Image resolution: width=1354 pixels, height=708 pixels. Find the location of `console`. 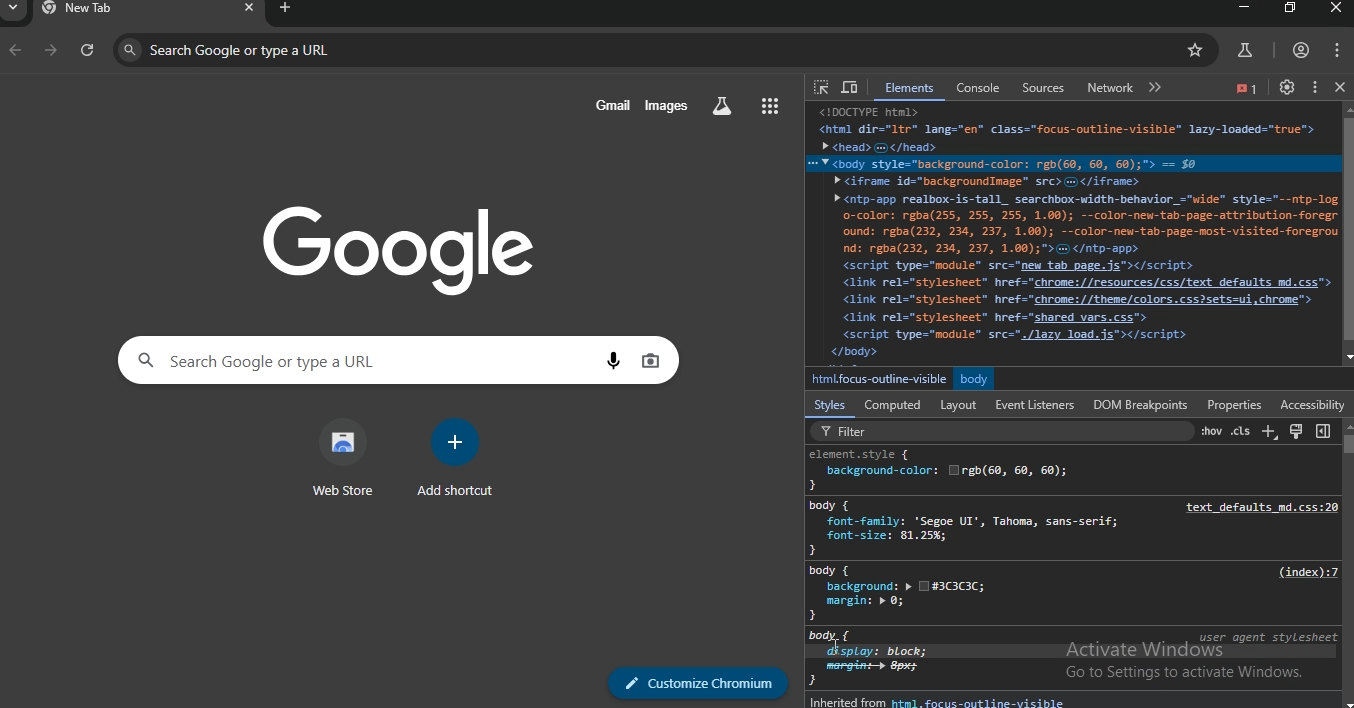

console is located at coordinates (984, 84).